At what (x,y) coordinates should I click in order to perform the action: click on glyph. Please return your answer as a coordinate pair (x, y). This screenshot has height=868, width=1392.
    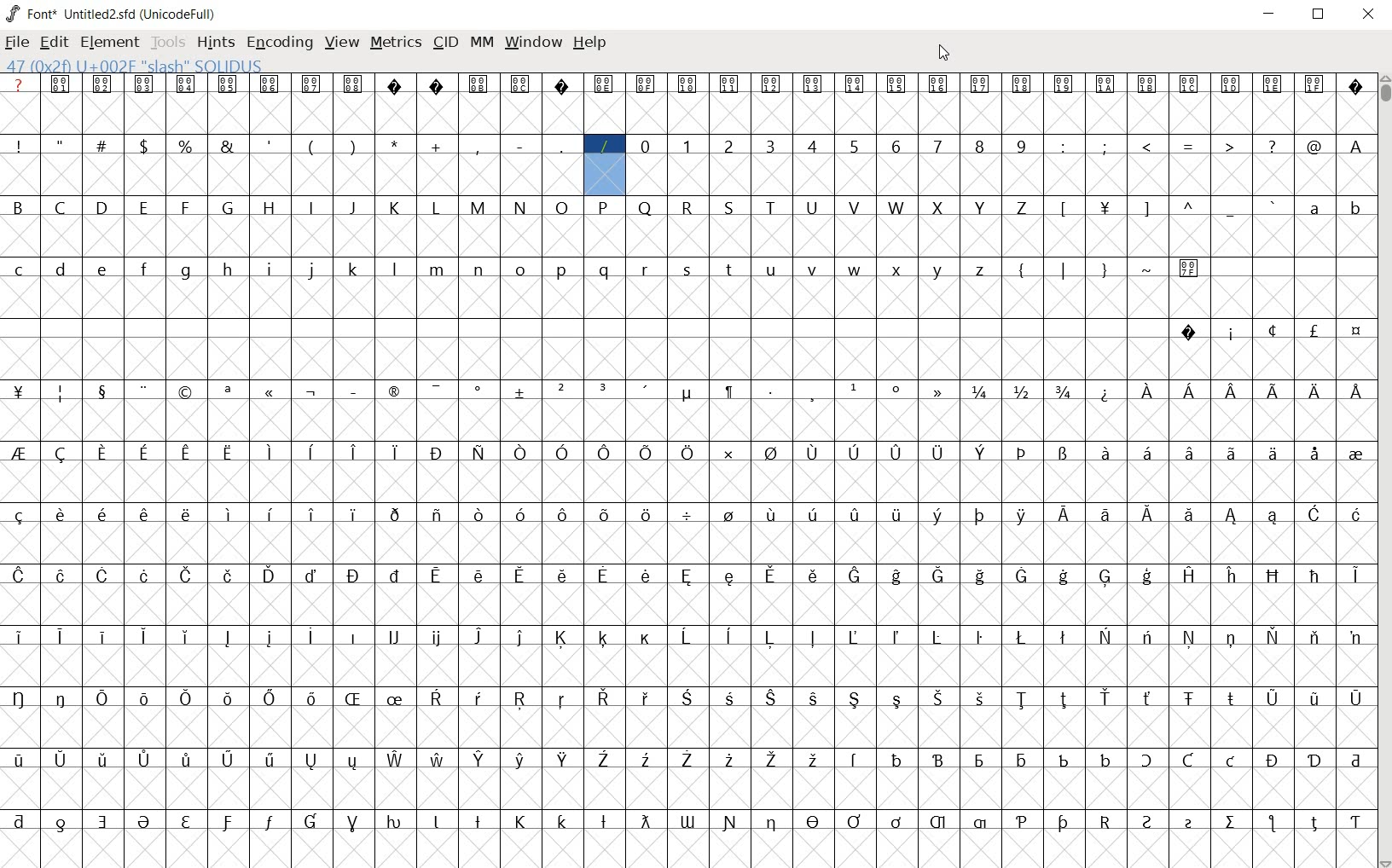
    Looking at the image, I should click on (19, 391).